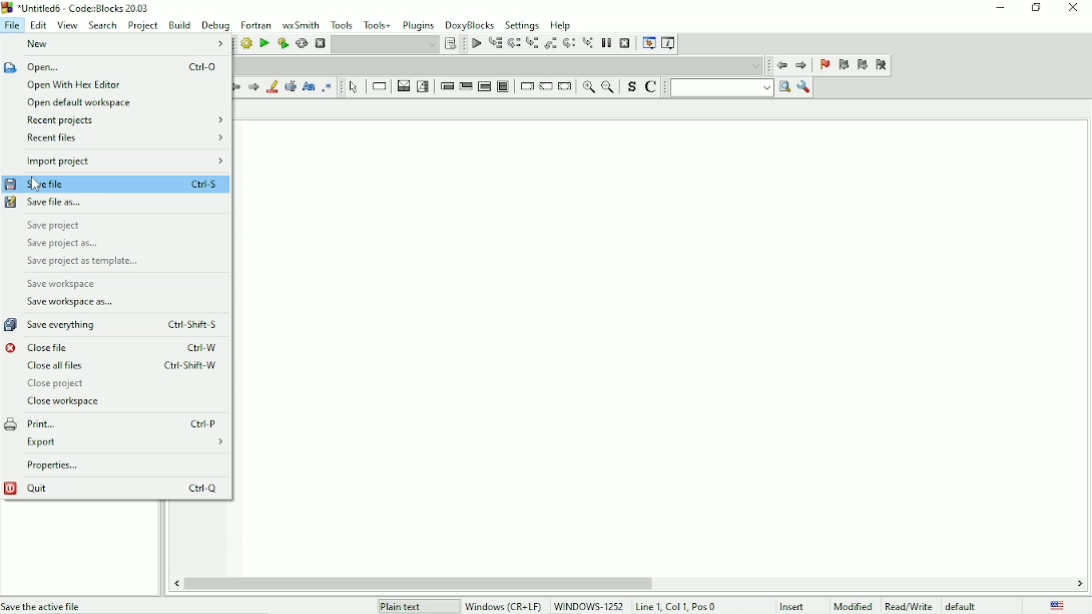  What do you see at coordinates (36, 184) in the screenshot?
I see `cursor` at bounding box center [36, 184].